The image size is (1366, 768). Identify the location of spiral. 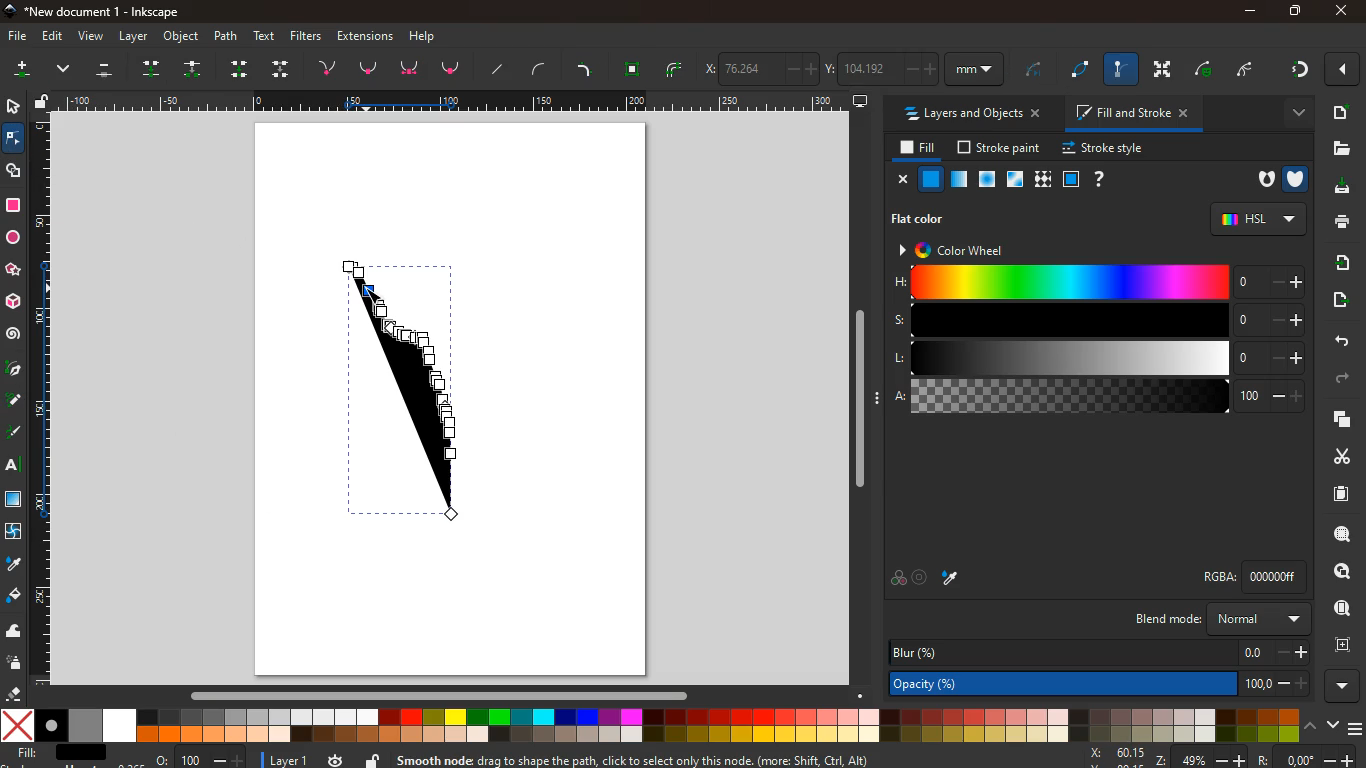
(13, 334).